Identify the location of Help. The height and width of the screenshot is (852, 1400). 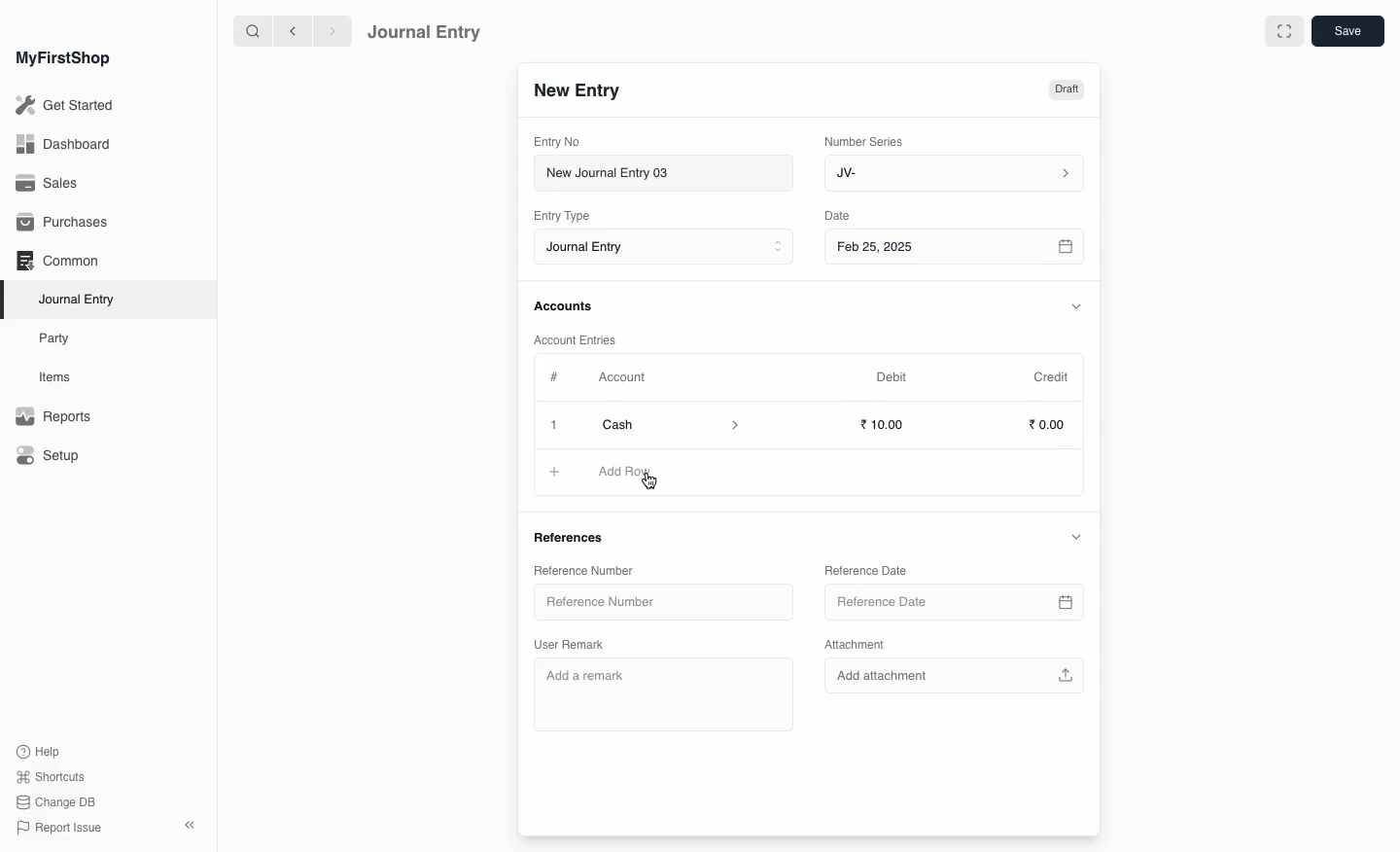
(36, 750).